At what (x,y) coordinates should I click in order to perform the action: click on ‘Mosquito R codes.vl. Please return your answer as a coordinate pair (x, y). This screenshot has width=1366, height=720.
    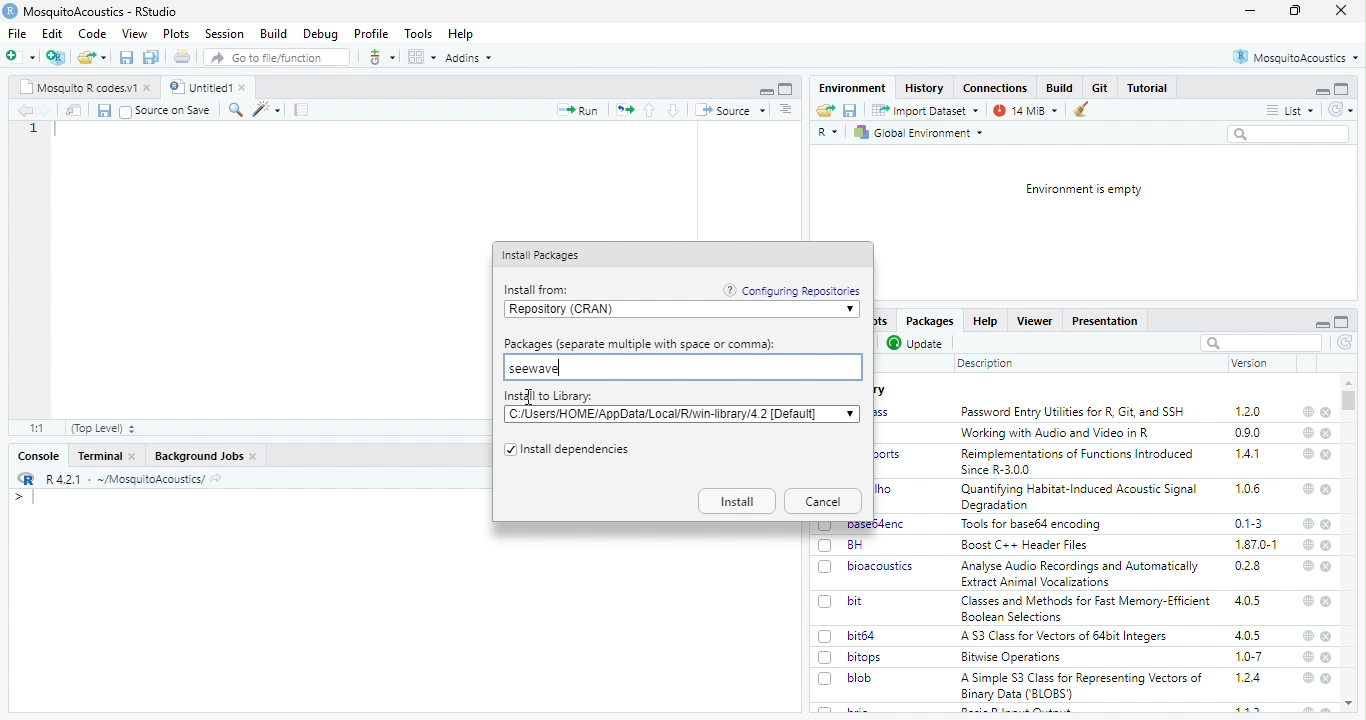
    Looking at the image, I should click on (77, 87).